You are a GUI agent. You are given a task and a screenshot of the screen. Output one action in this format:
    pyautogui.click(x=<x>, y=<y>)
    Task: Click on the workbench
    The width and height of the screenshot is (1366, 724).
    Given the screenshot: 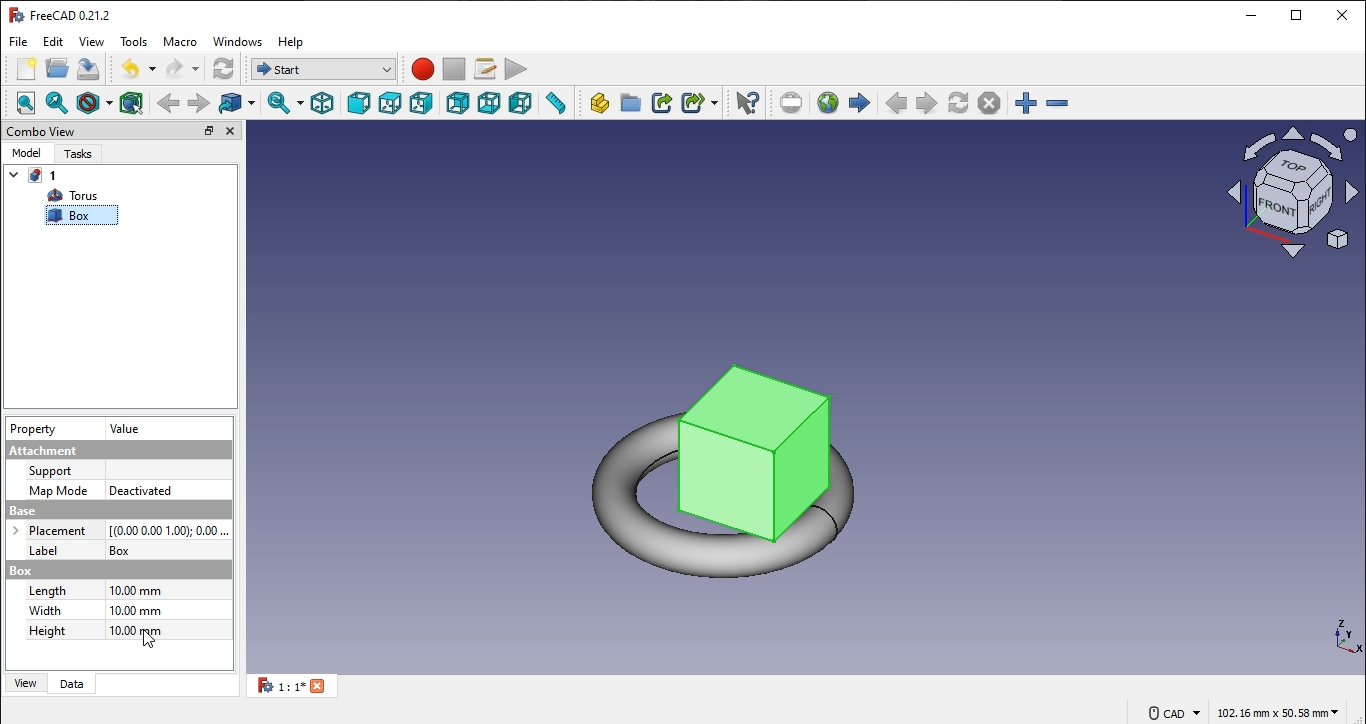 What is the action you would take?
    pyautogui.click(x=223, y=68)
    